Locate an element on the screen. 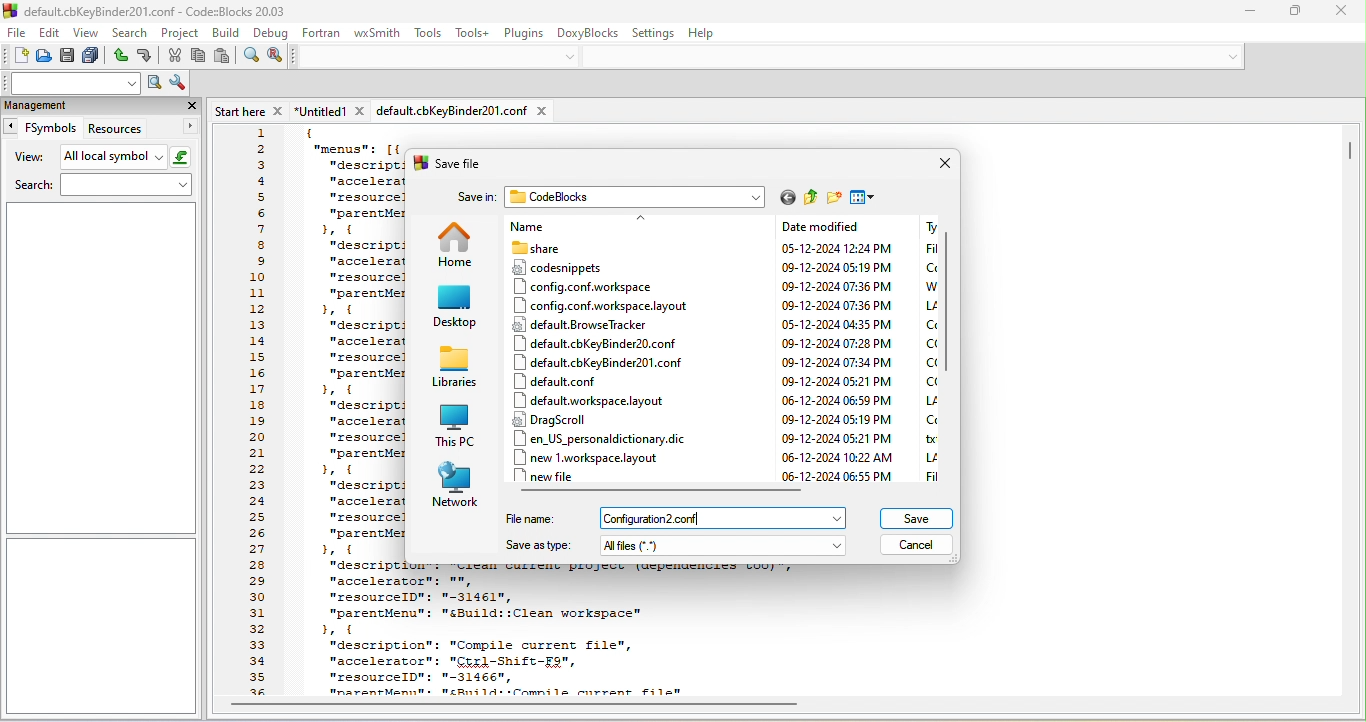 The image size is (1366, 722). cancel is located at coordinates (918, 546).